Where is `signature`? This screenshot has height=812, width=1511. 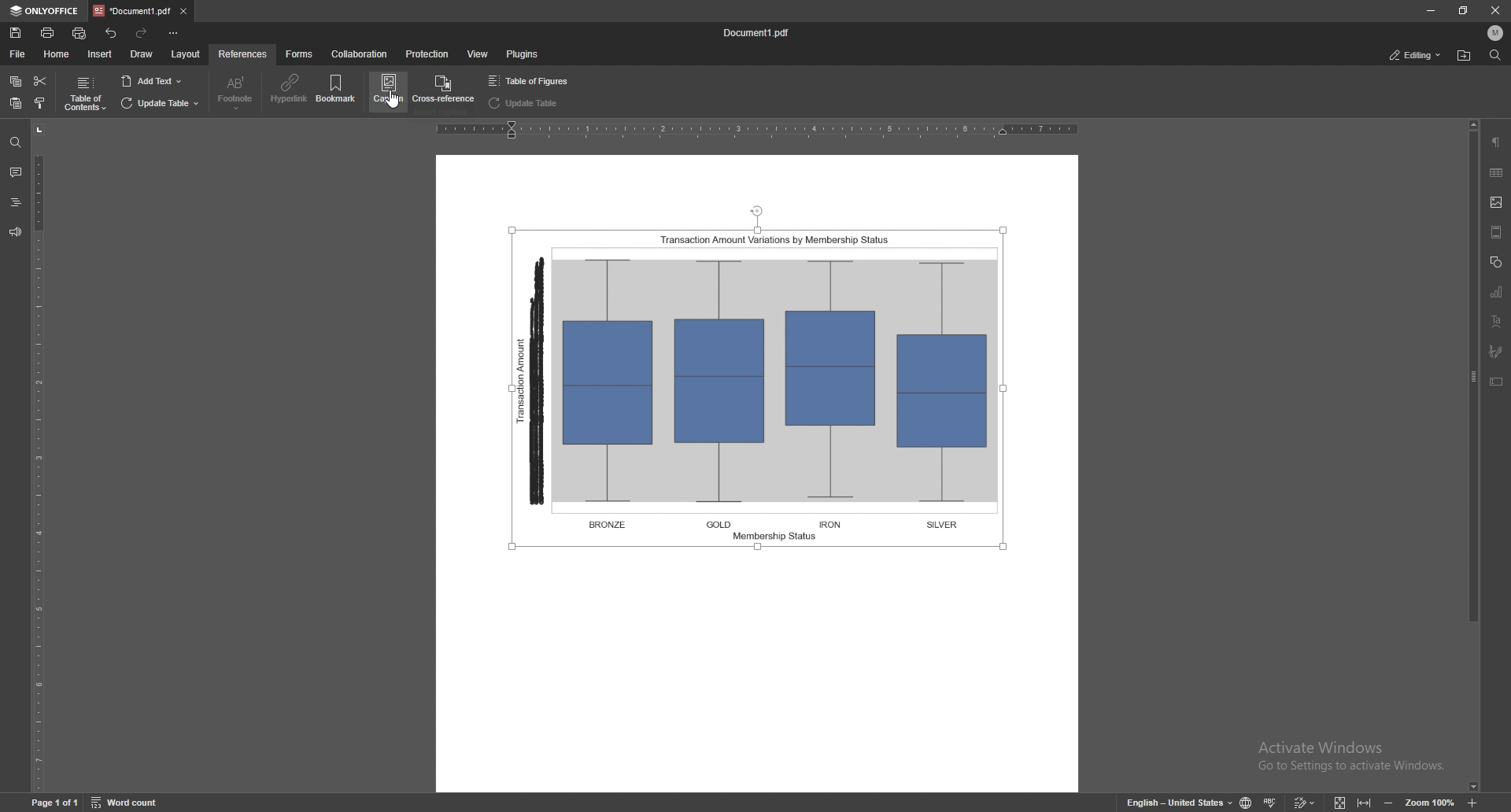 signature is located at coordinates (1498, 352).